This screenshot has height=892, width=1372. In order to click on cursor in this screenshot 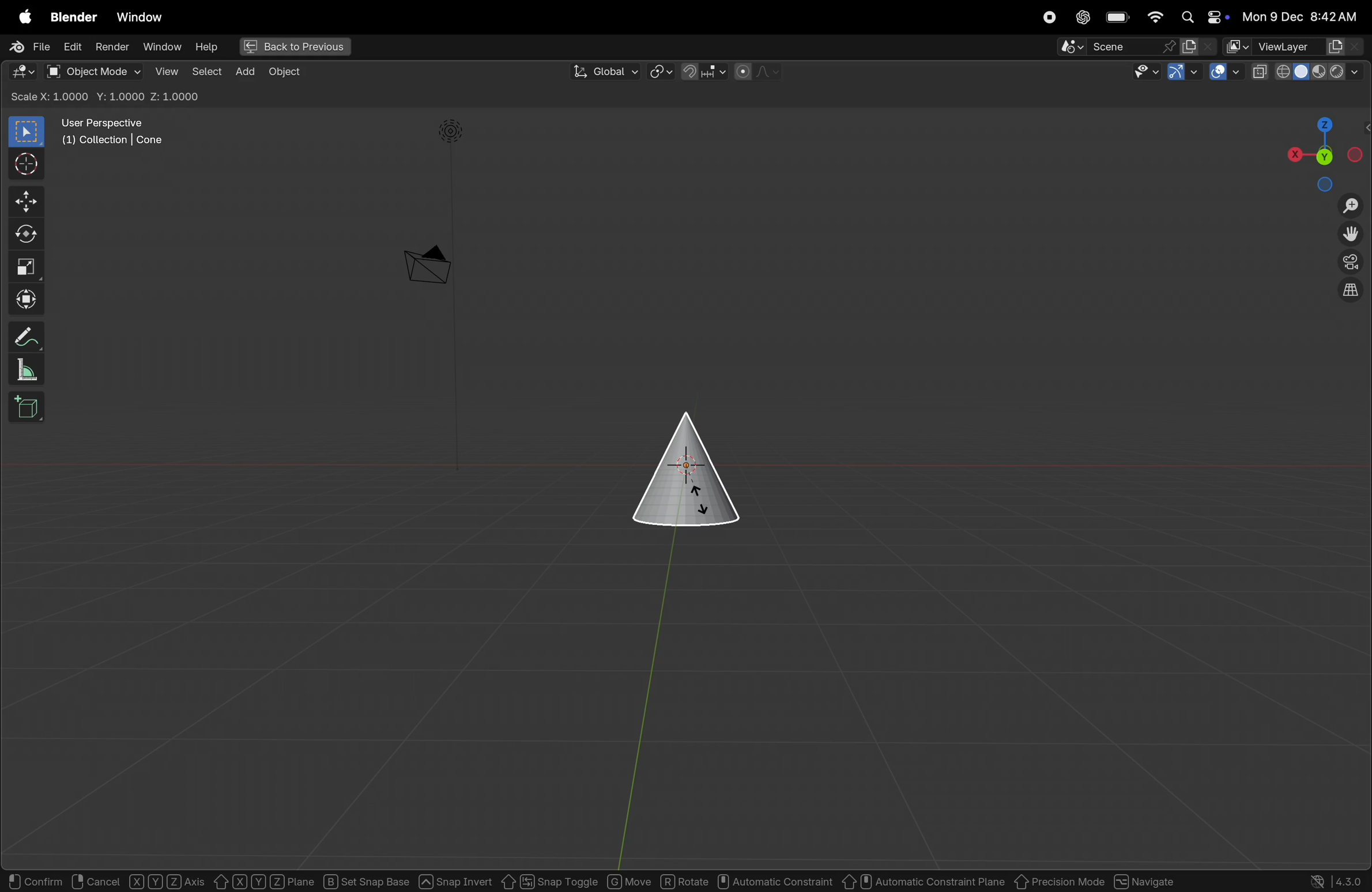, I will do `click(22, 164)`.